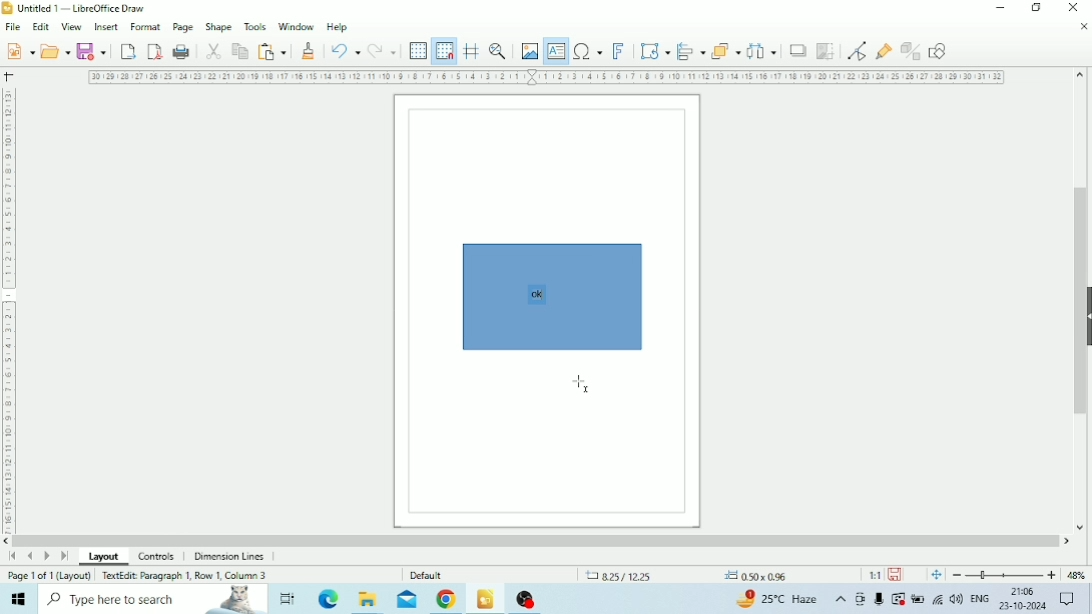 This screenshot has width=1092, height=614. Describe the element at coordinates (182, 52) in the screenshot. I see `Print` at that location.